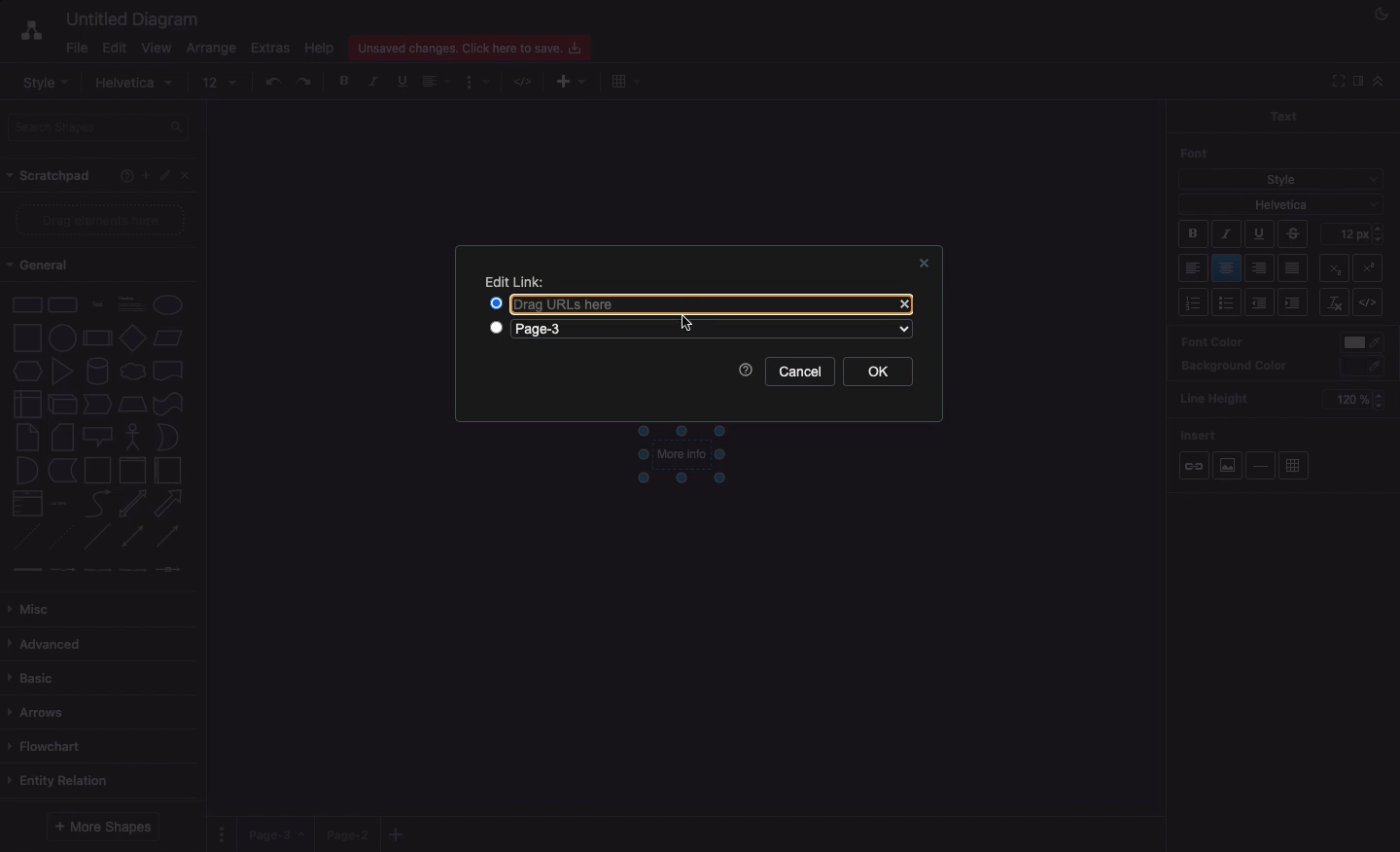 The image size is (1400, 852). I want to click on Page 3, so click(274, 834).